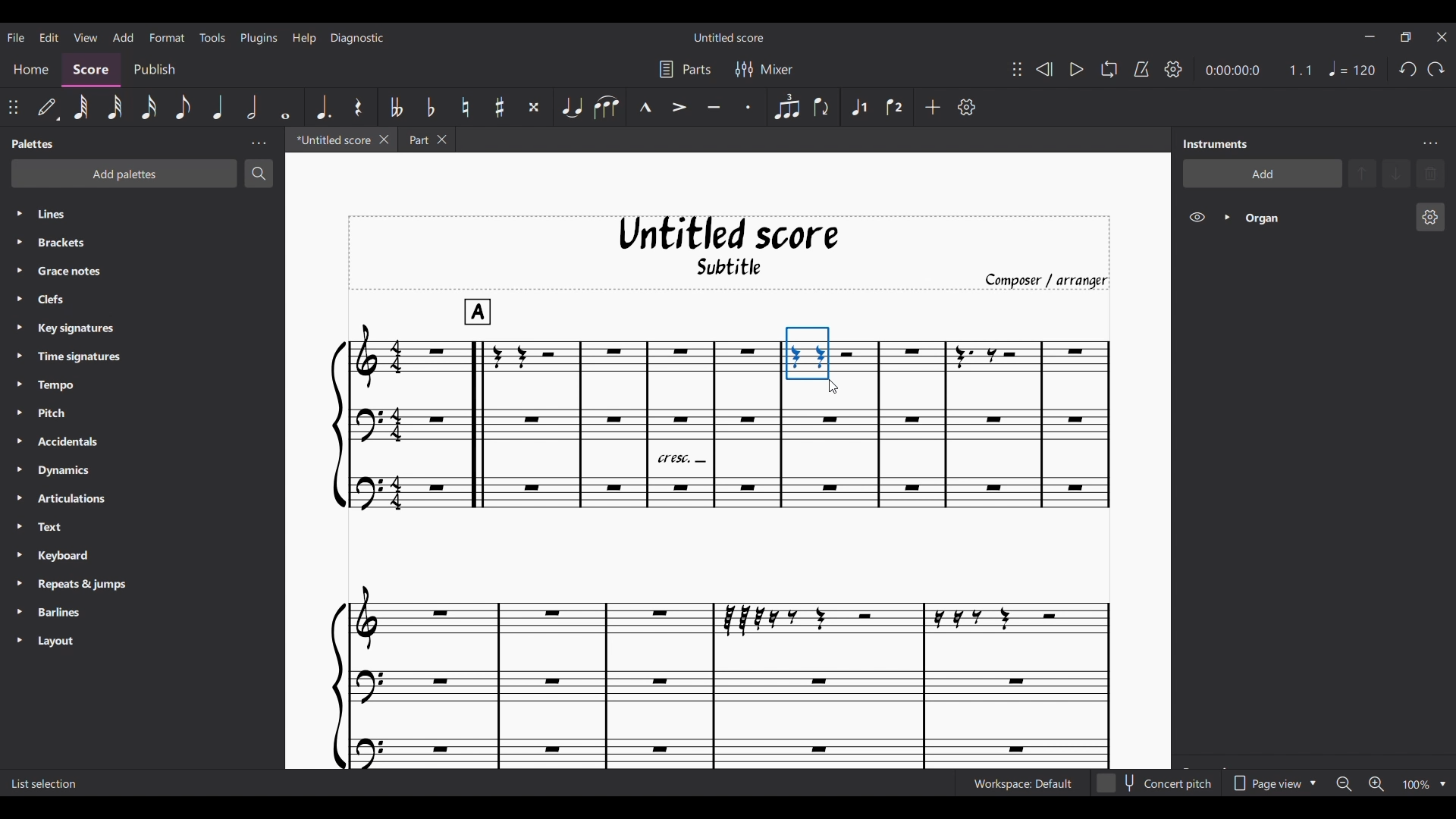 This screenshot has width=1456, height=819. What do you see at coordinates (259, 36) in the screenshot?
I see `Plugins menu` at bounding box center [259, 36].